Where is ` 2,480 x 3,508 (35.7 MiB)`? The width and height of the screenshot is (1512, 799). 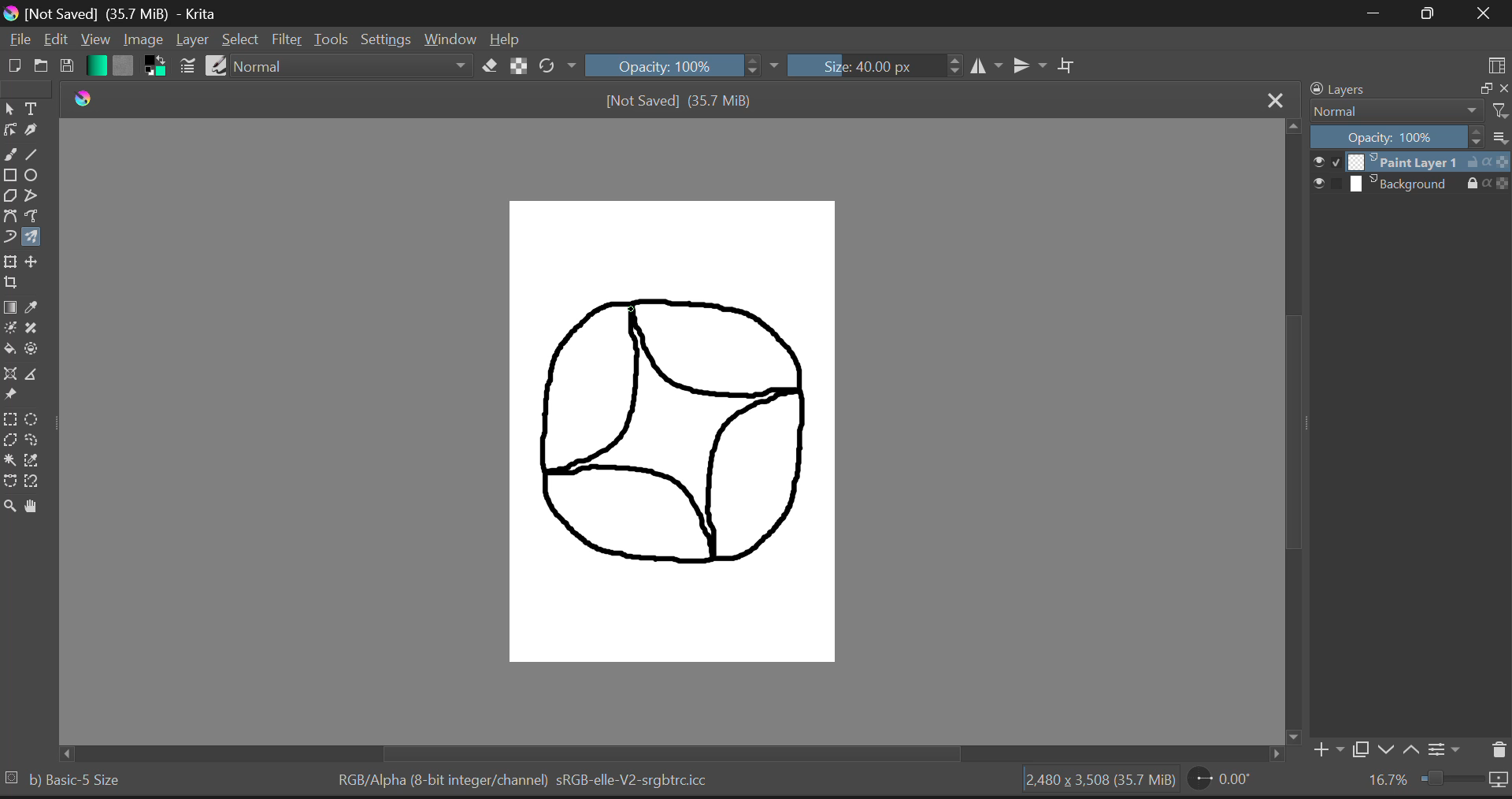
 2,480 x 3,508 (35.7 MiB) is located at coordinates (1090, 779).